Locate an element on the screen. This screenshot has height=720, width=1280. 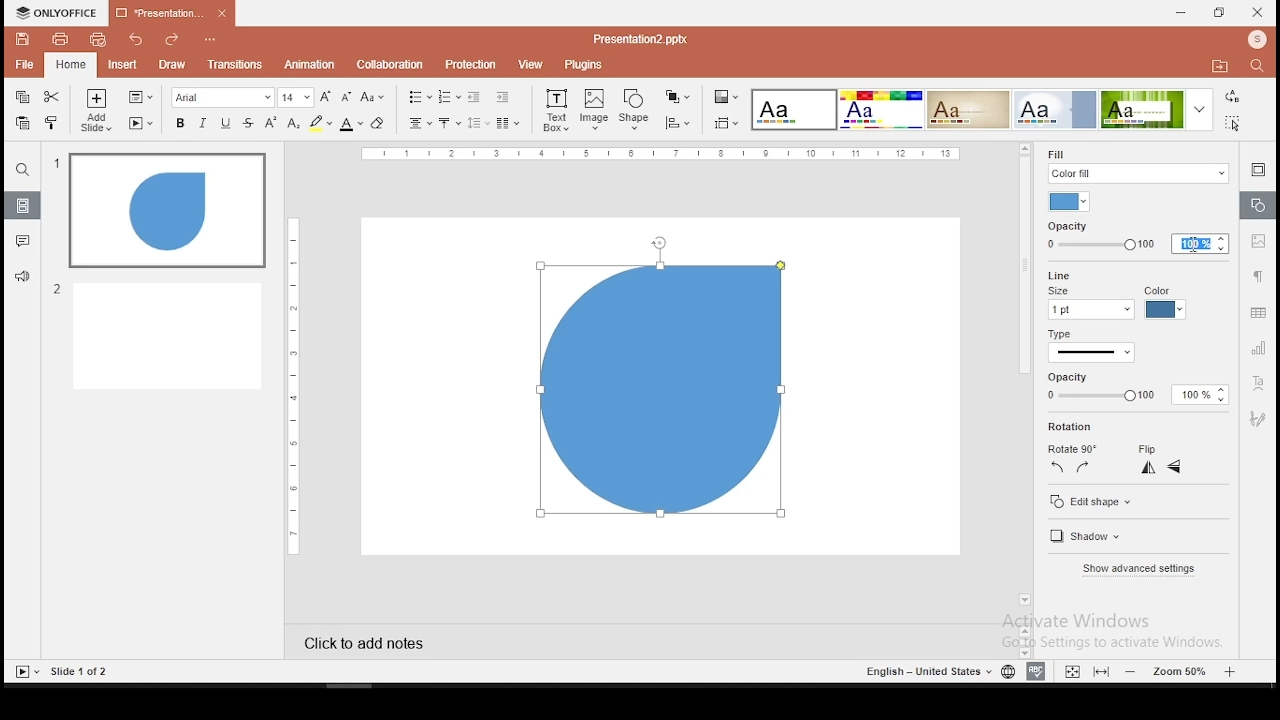
align objects is located at coordinates (677, 123).